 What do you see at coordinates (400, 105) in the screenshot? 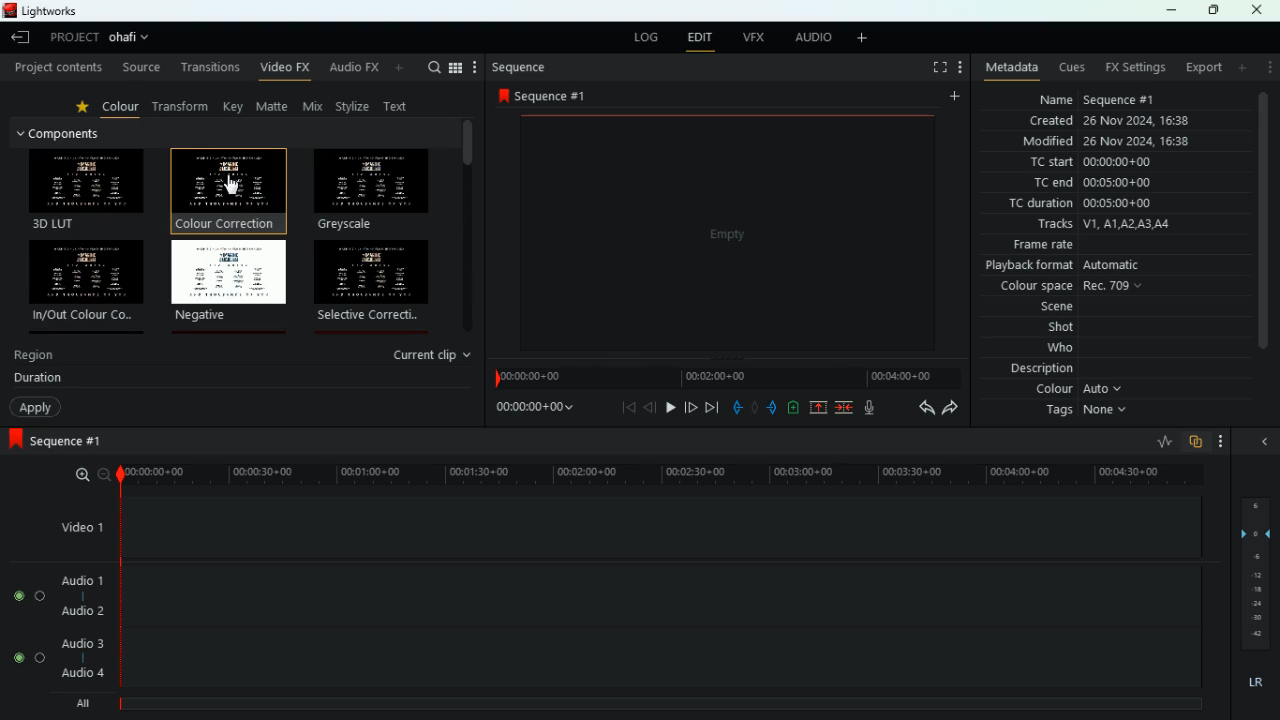
I see `text` at bounding box center [400, 105].